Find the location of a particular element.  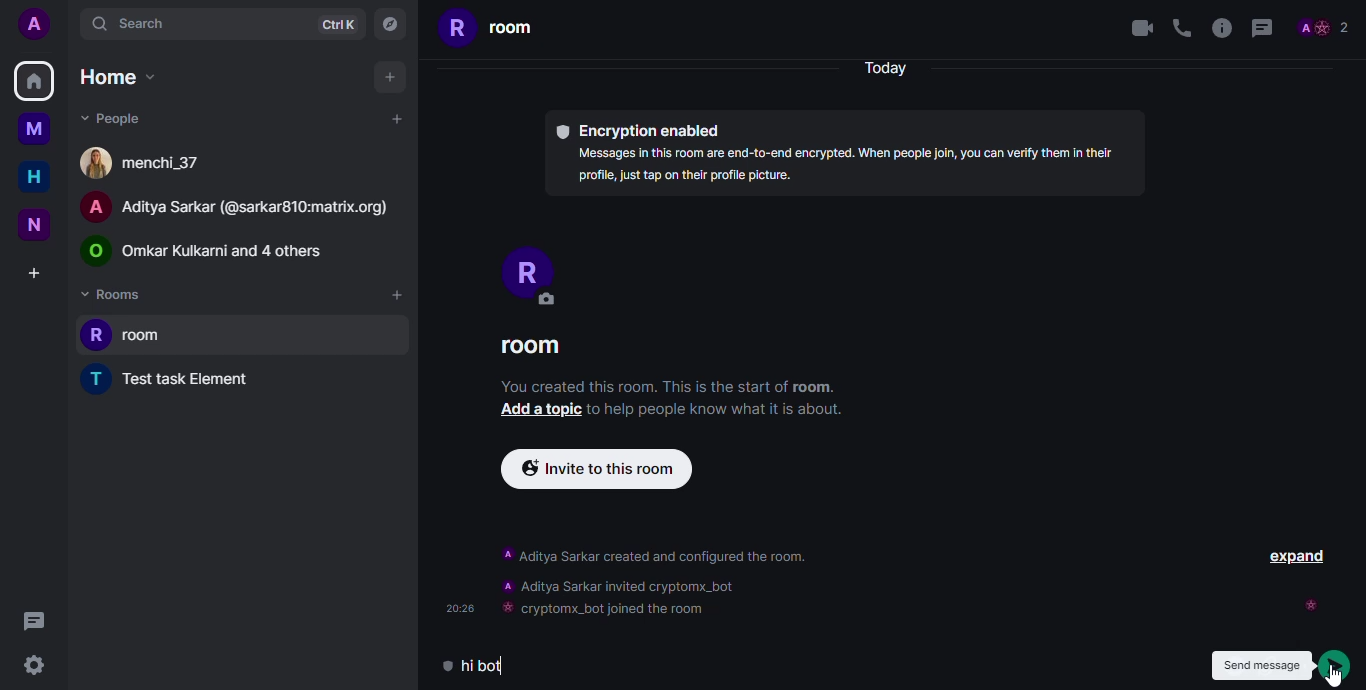

You created this room. This is the start of room.
Add a topic to help people know what it is about. is located at coordinates (675, 401).